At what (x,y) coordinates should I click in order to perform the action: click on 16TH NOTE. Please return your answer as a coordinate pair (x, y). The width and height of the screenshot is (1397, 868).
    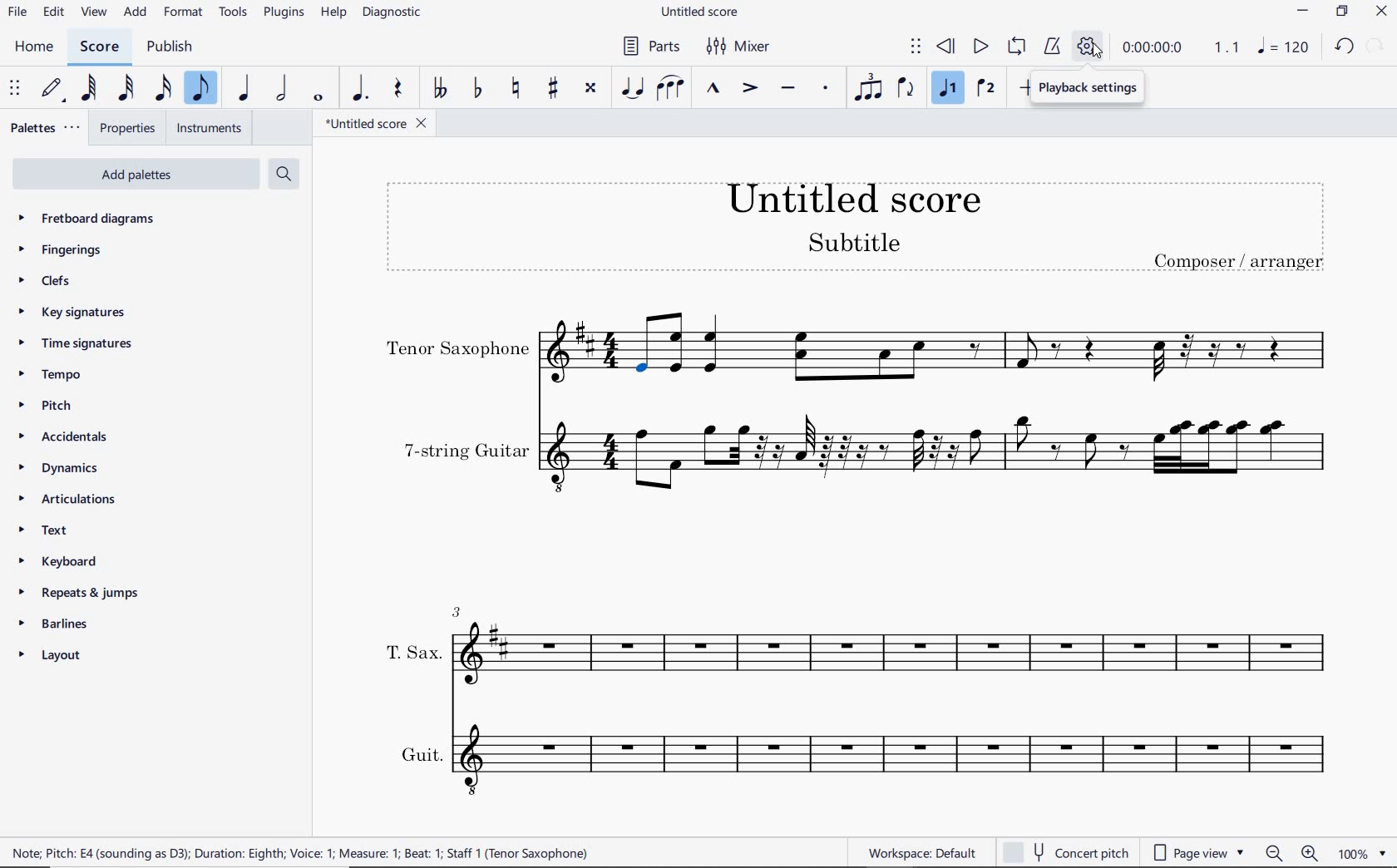
    Looking at the image, I should click on (160, 88).